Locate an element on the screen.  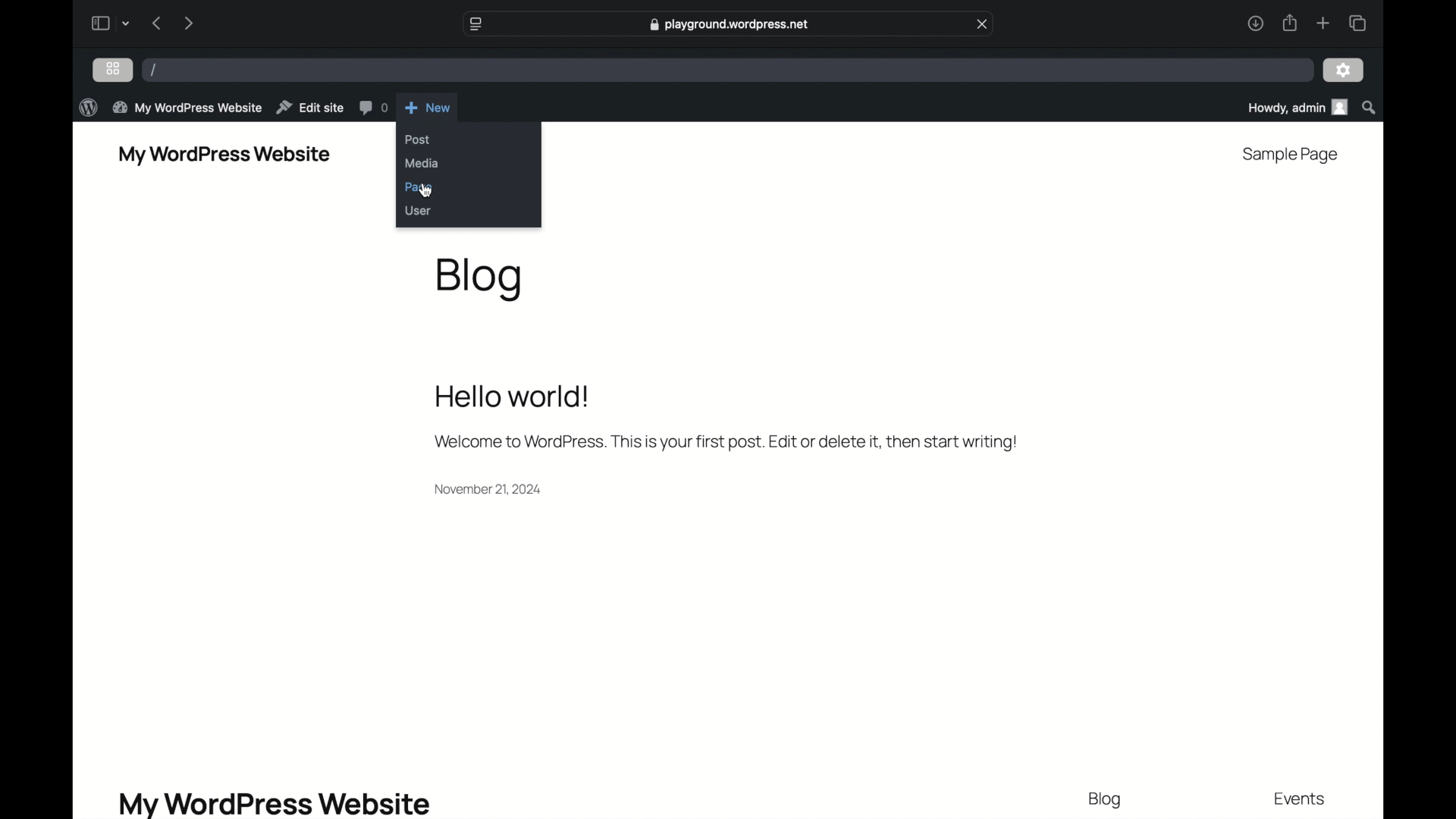
cursor is located at coordinates (428, 190).